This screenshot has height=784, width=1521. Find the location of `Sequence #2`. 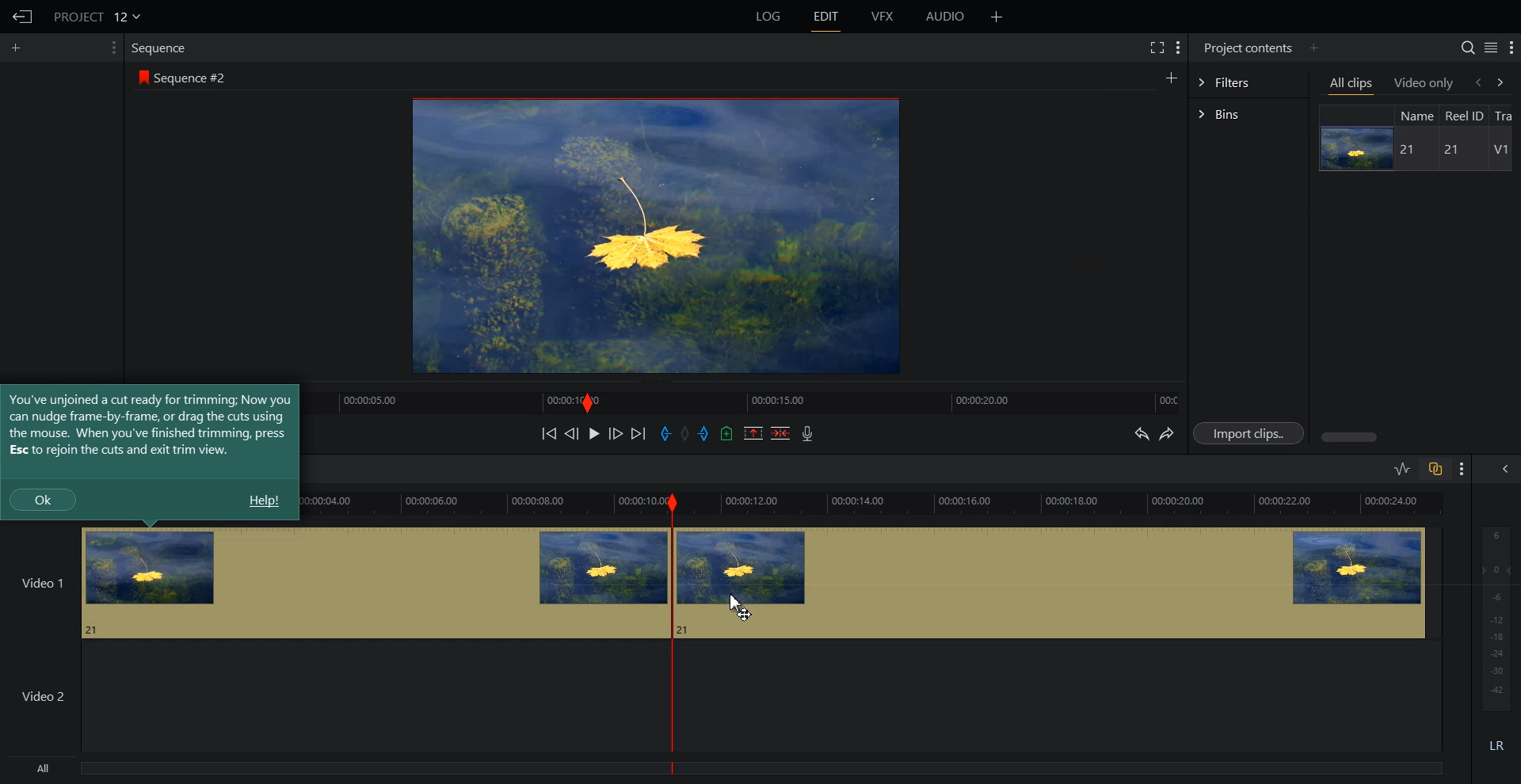

Sequence #2 is located at coordinates (193, 75).